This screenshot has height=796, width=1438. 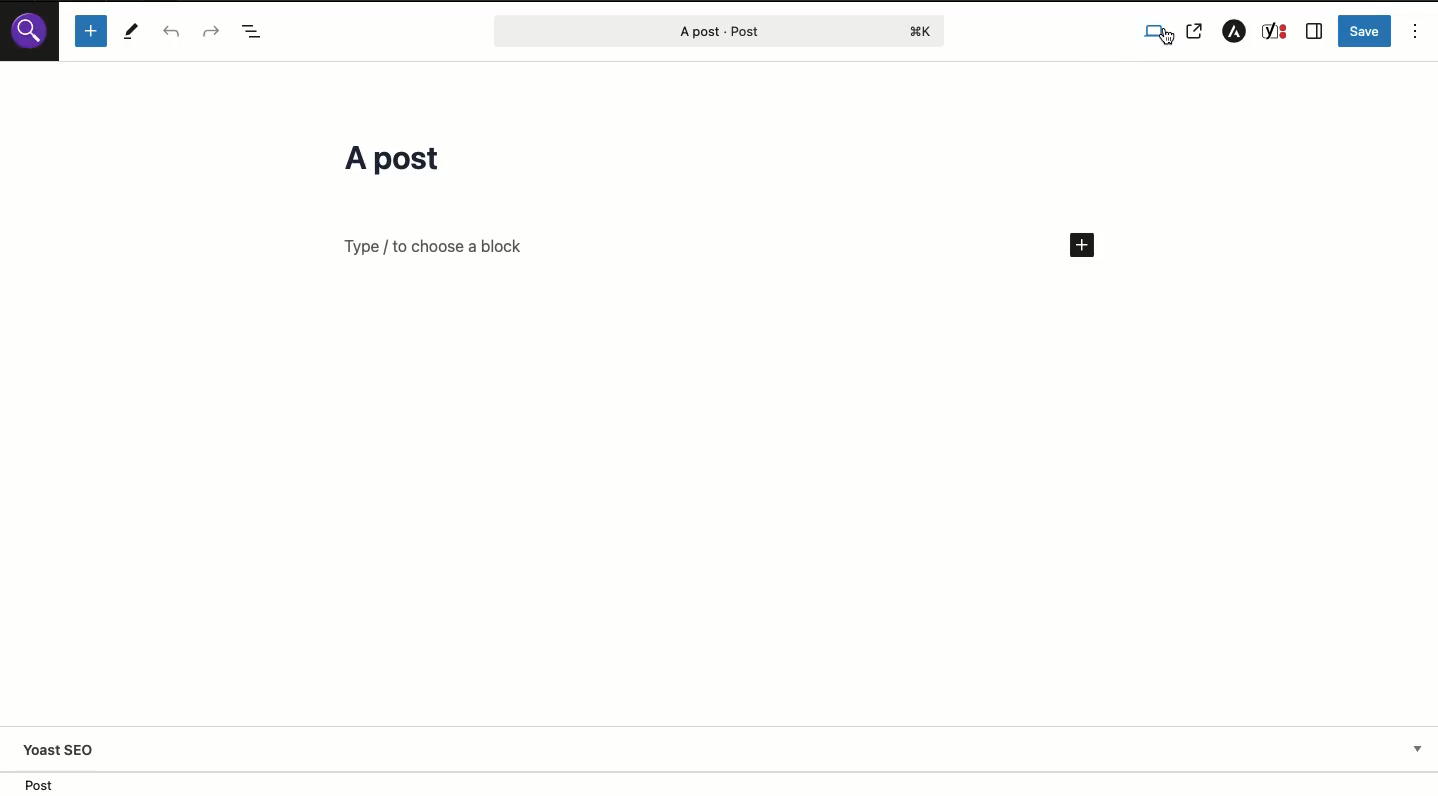 I want to click on Sidebar, so click(x=1314, y=32).